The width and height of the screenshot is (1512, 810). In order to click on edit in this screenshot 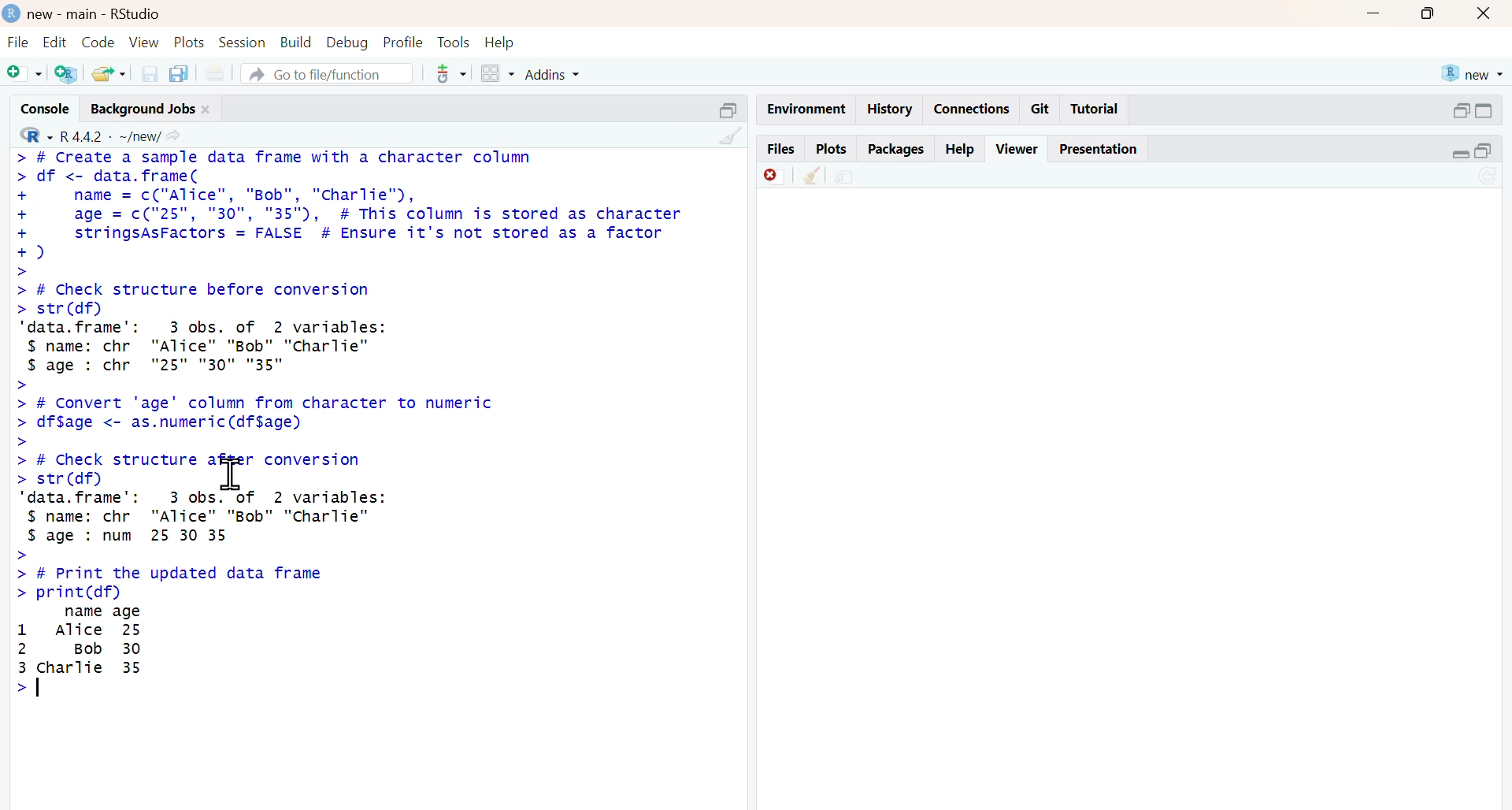, I will do `click(55, 43)`.